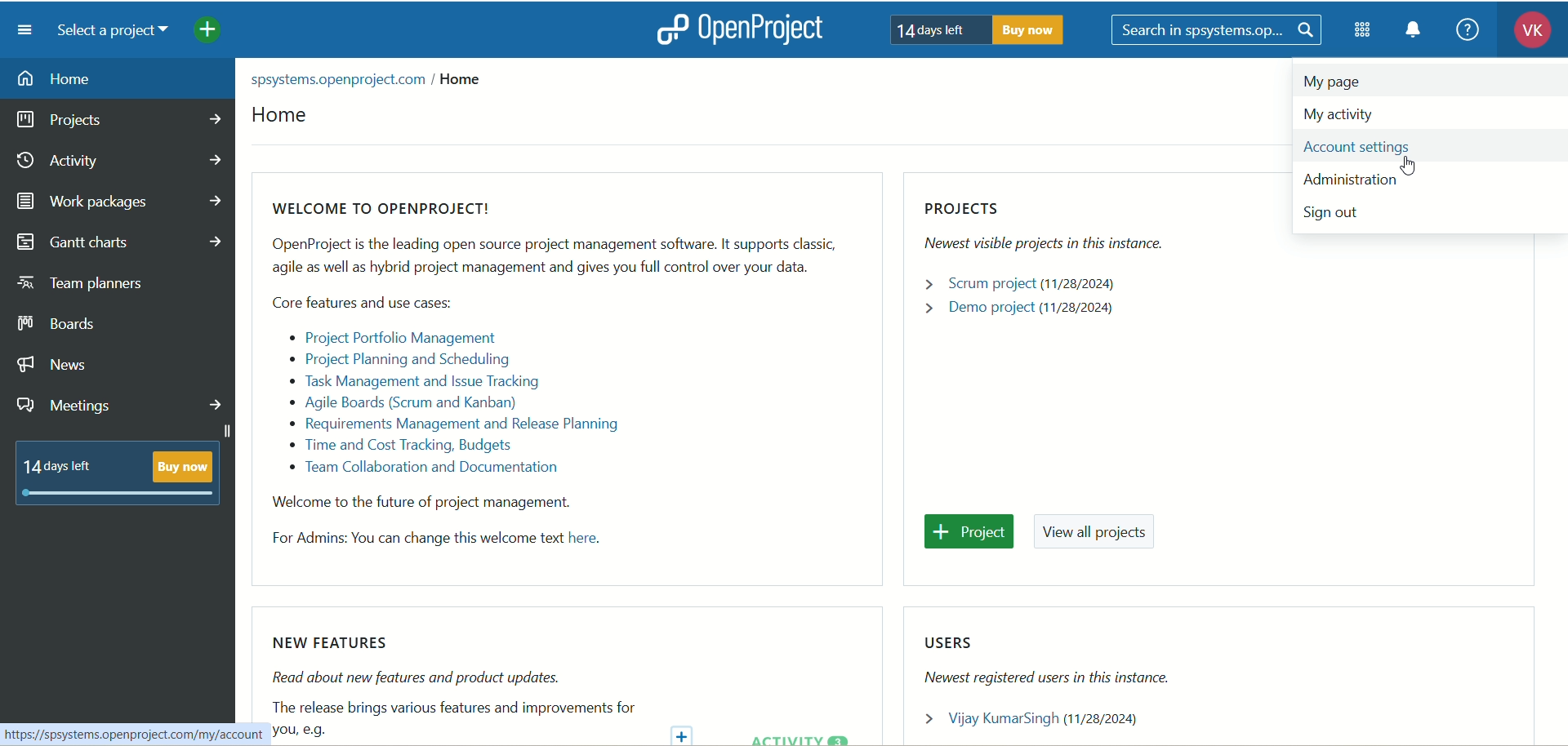 This screenshot has height=746, width=1568. Describe the element at coordinates (1023, 285) in the screenshot. I see `scrum project` at that location.